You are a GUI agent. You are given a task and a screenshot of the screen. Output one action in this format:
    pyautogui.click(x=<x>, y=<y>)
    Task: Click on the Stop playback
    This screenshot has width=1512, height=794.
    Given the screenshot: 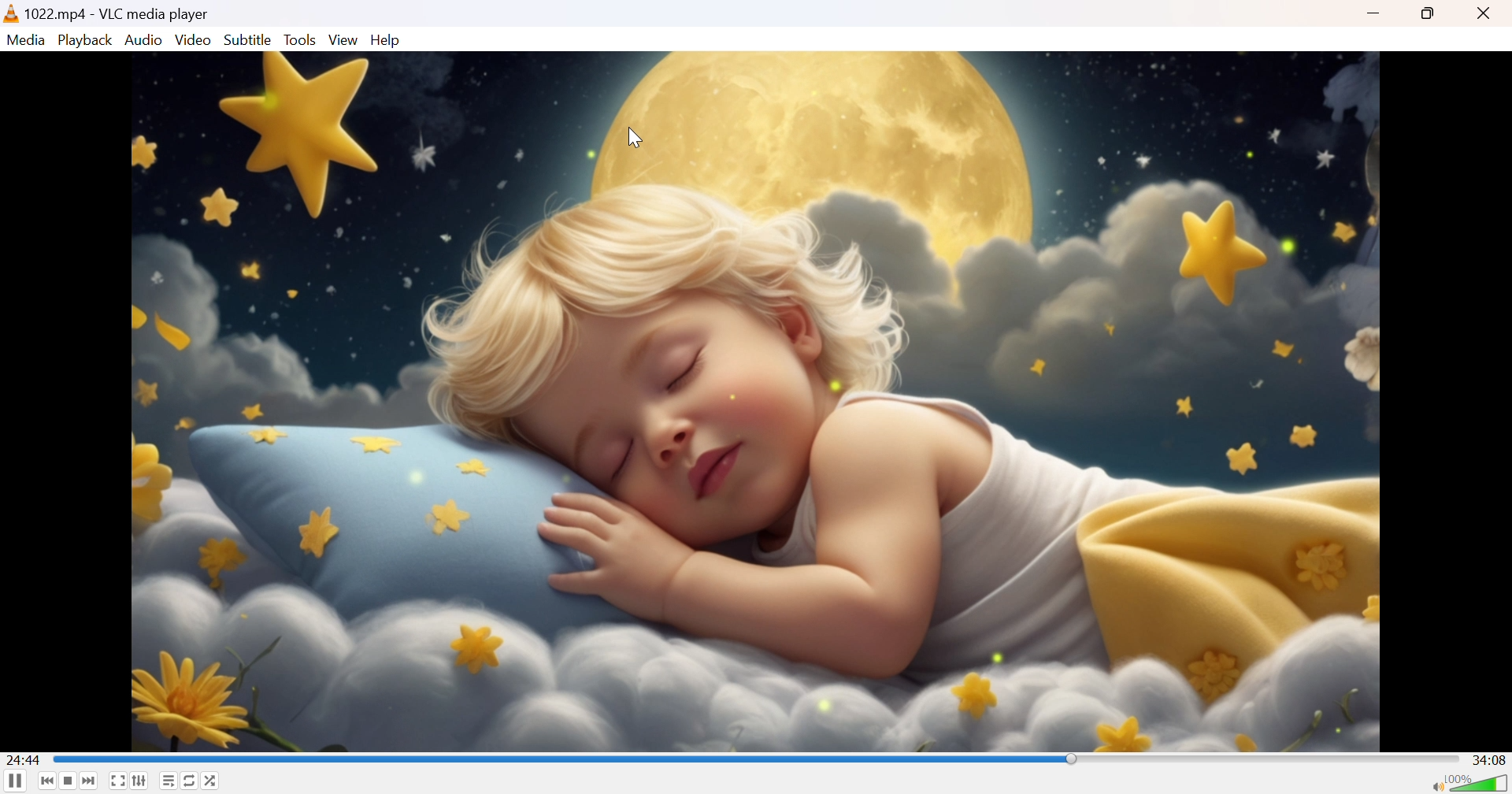 What is the action you would take?
    pyautogui.click(x=69, y=781)
    